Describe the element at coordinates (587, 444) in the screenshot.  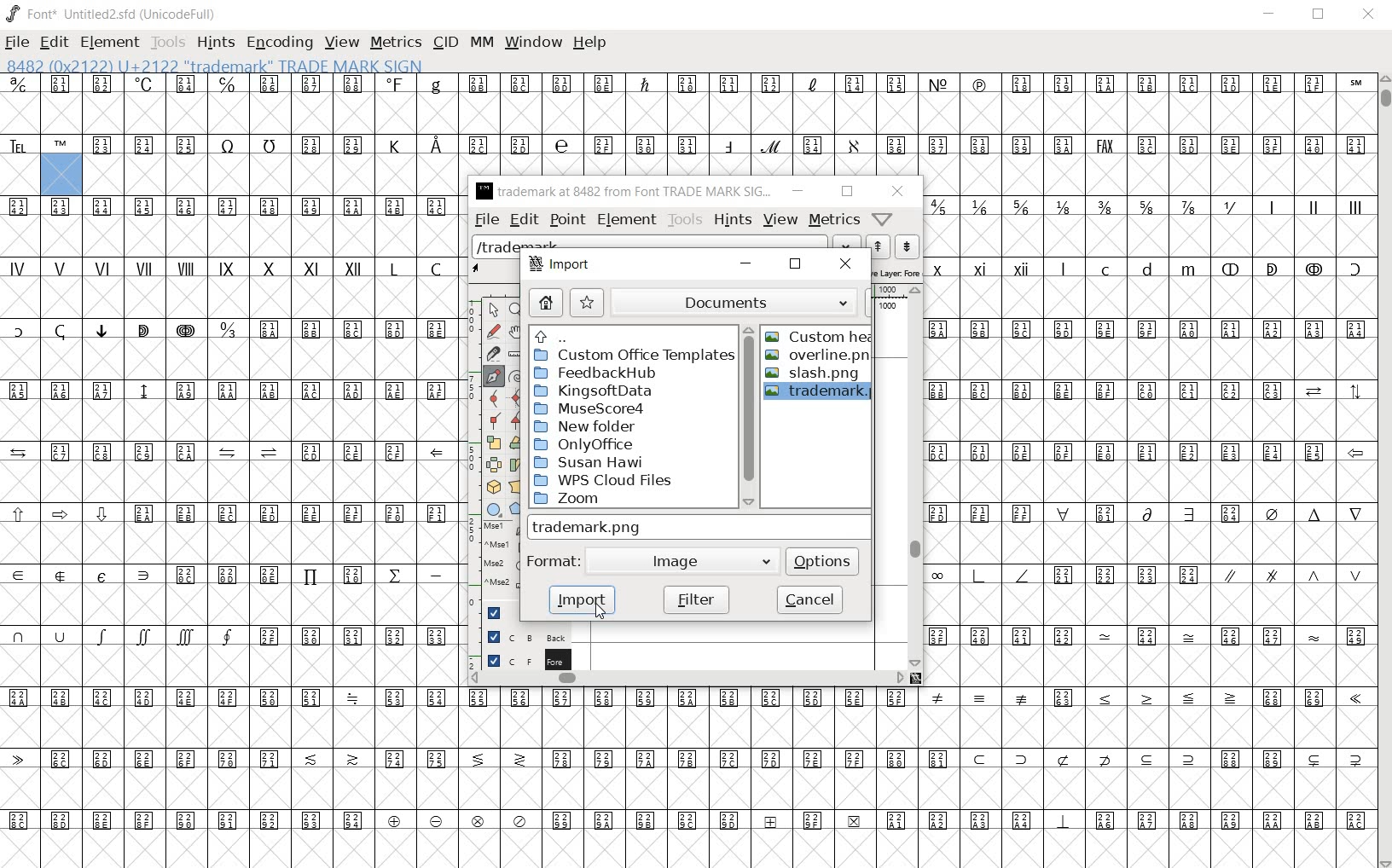
I see `Only Office` at that location.